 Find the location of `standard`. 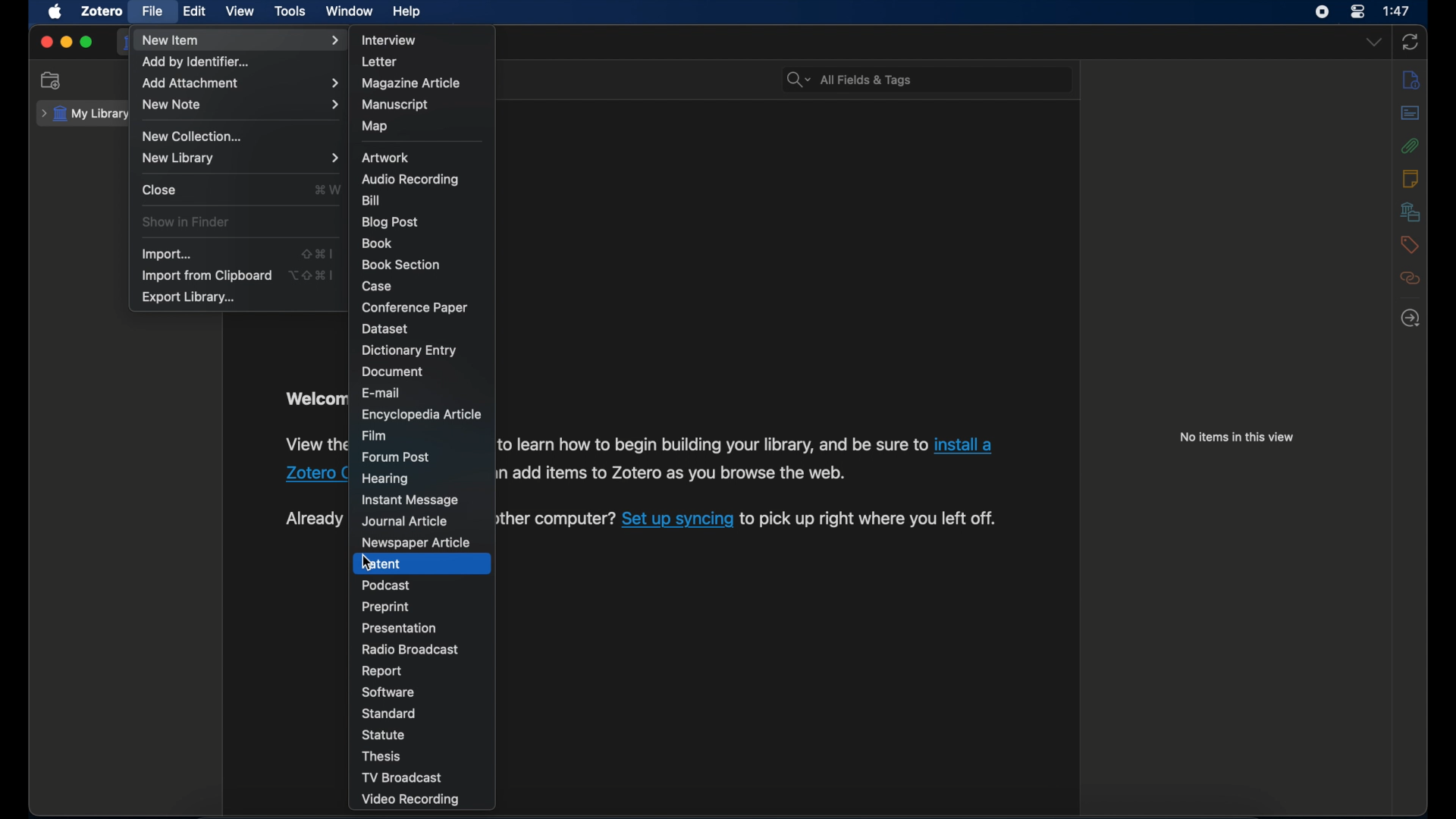

standard is located at coordinates (388, 714).